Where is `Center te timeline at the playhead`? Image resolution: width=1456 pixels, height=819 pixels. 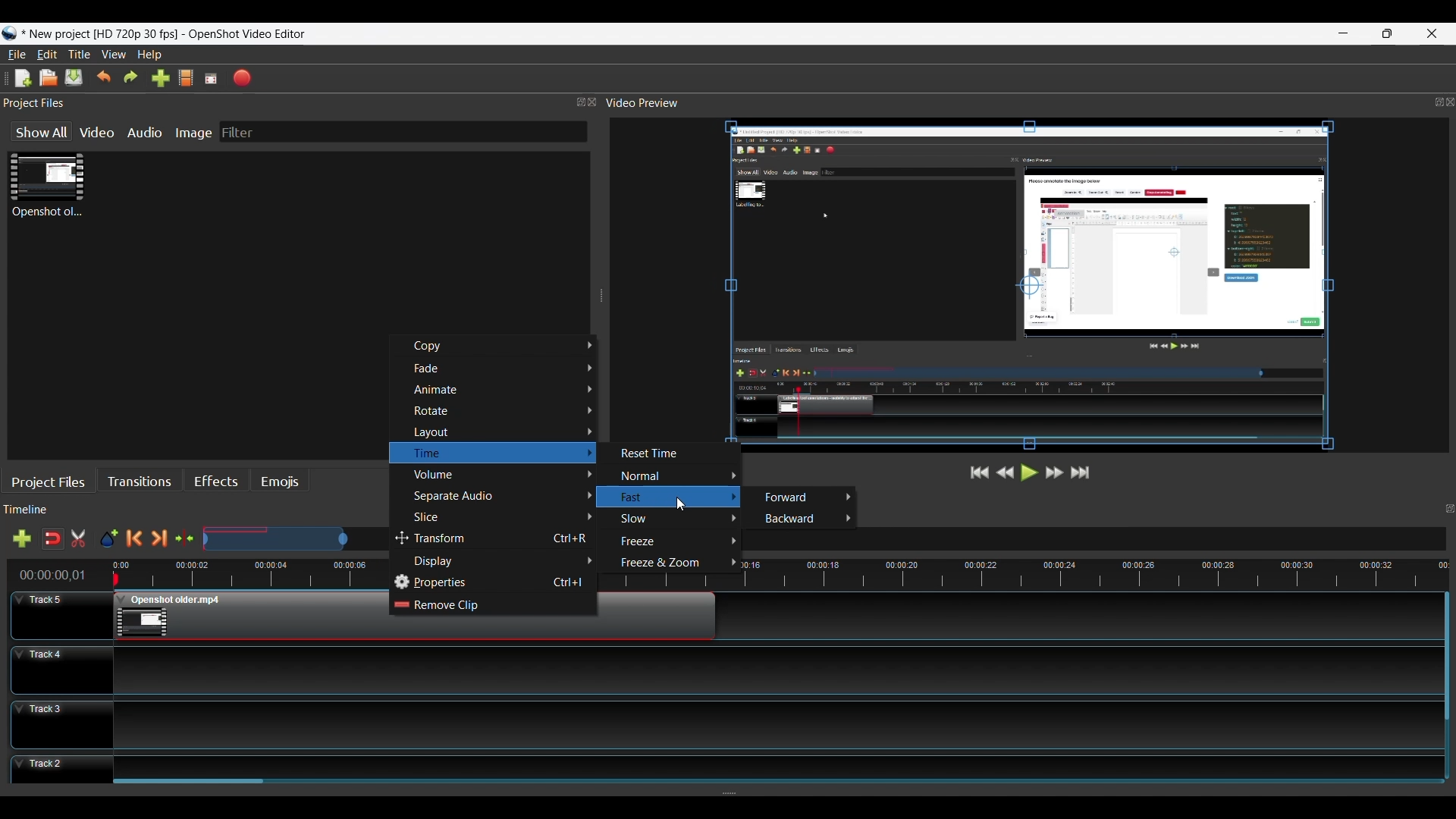
Center te timeline at the playhead is located at coordinates (185, 539).